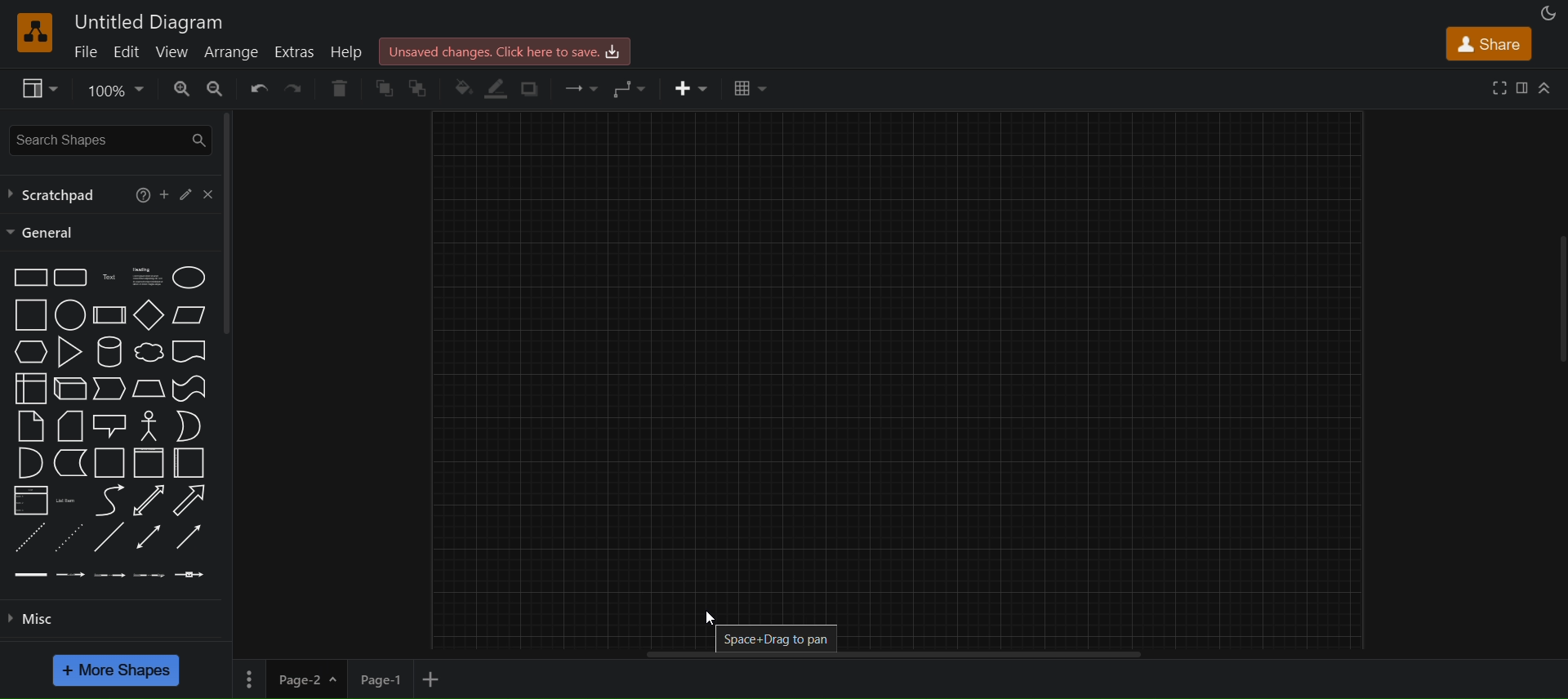 This screenshot has width=1568, height=699. Describe the element at coordinates (506, 50) in the screenshot. I see `click here to save` at that location.